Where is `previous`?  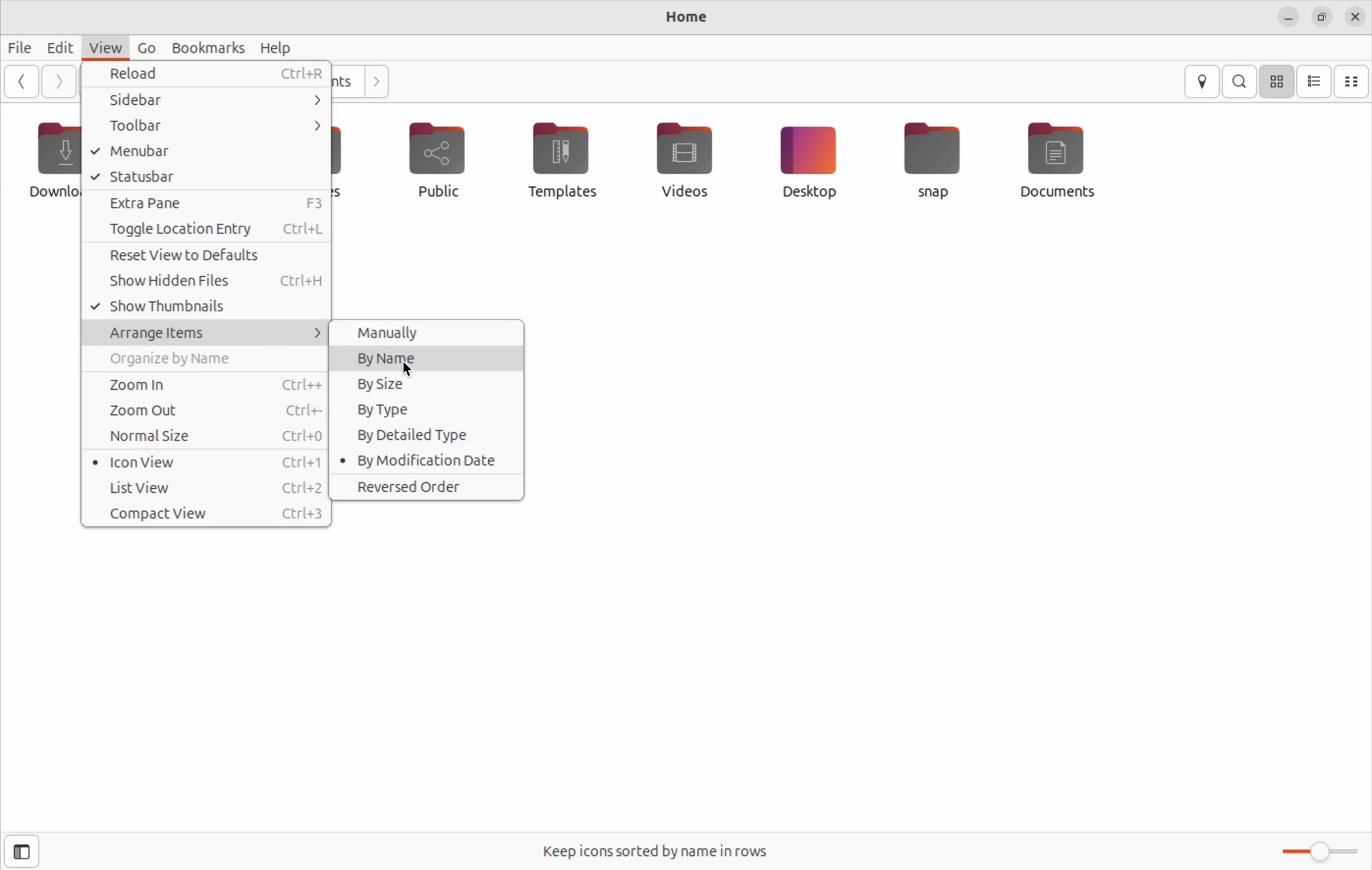
previous is located at coordinates (19, 81).